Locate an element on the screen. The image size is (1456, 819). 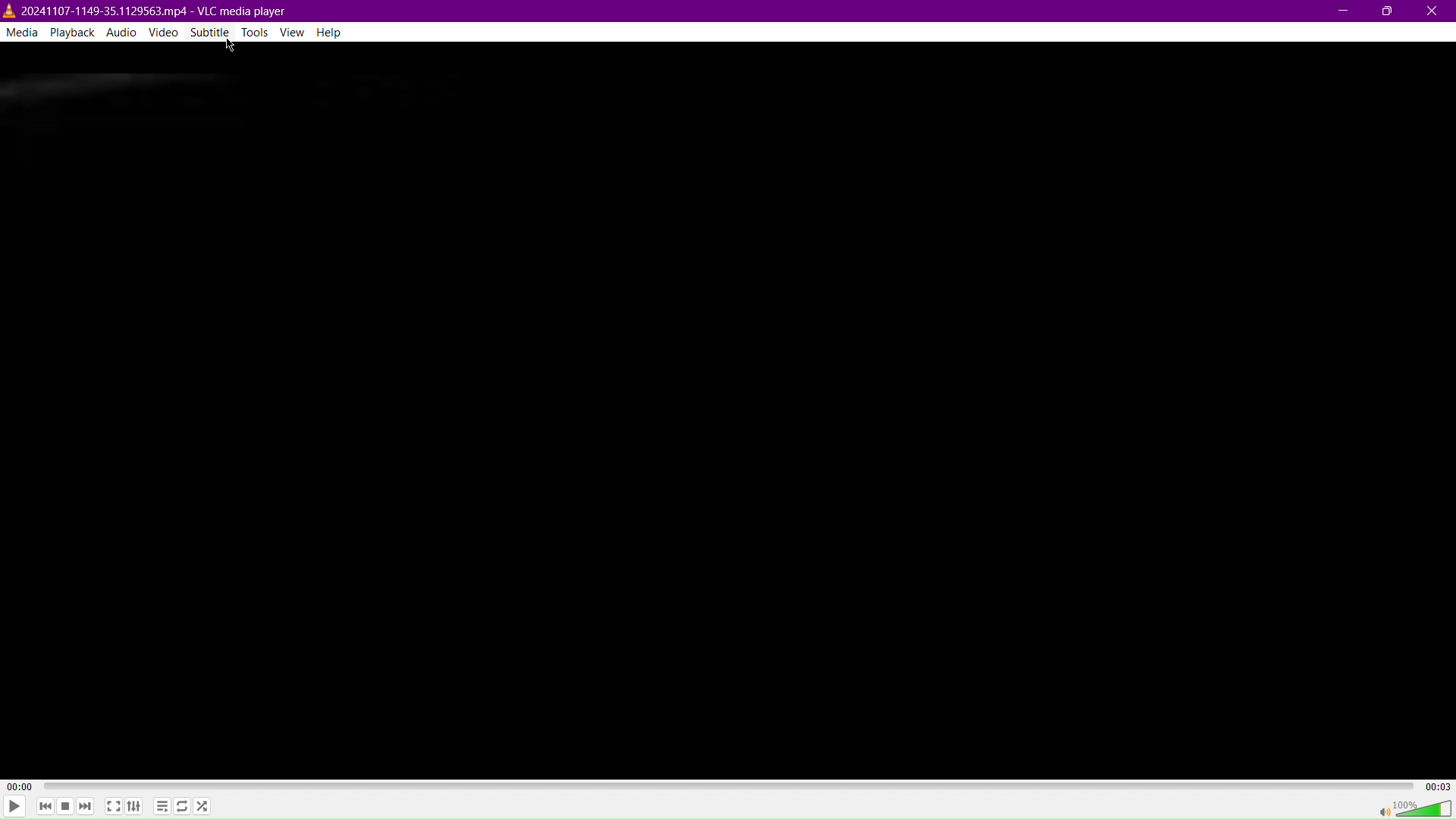
Toggle playlist is located at coordinates (160, 805).